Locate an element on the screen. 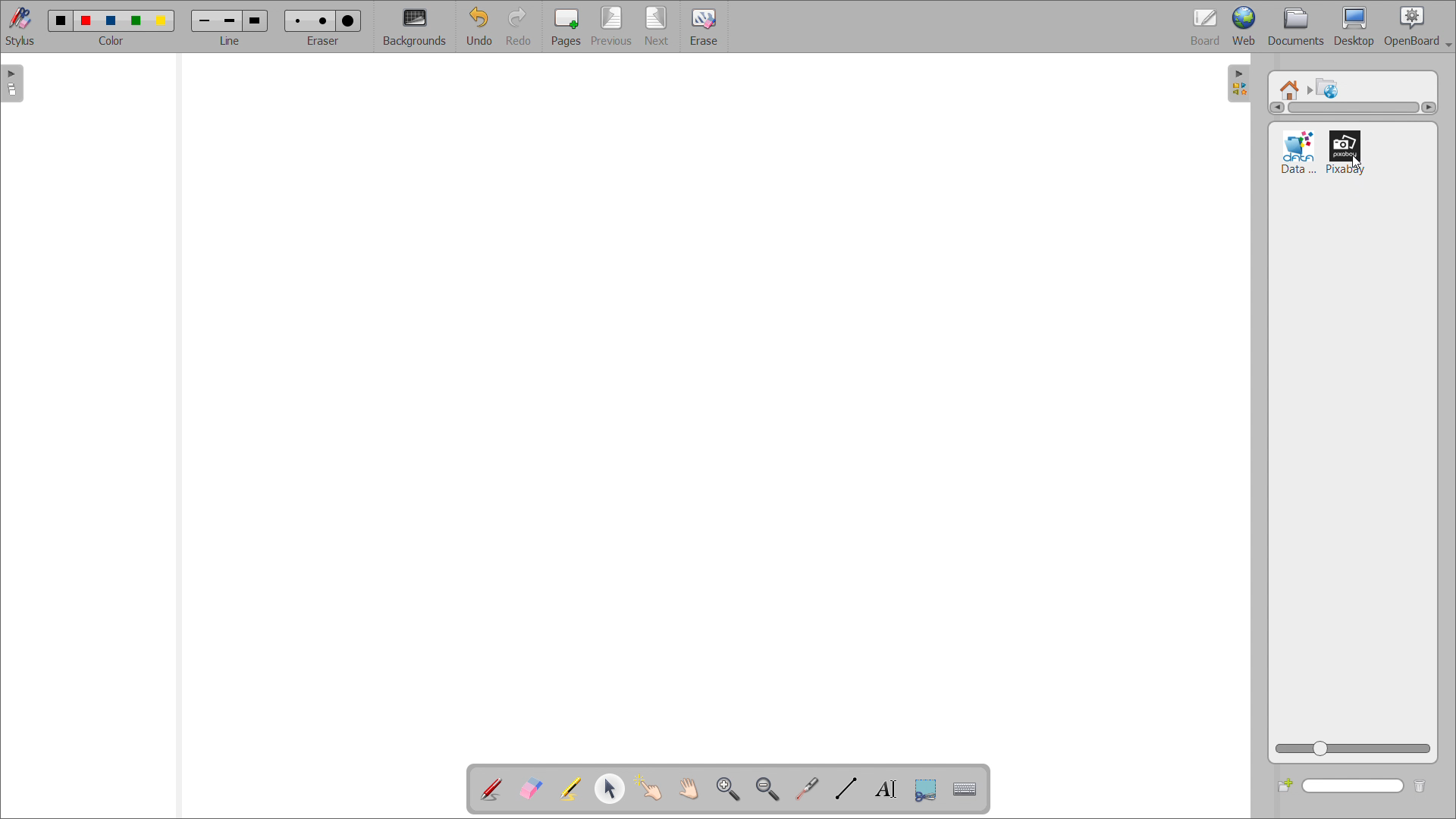  toggle stylus is located at coordinates (20, 26).